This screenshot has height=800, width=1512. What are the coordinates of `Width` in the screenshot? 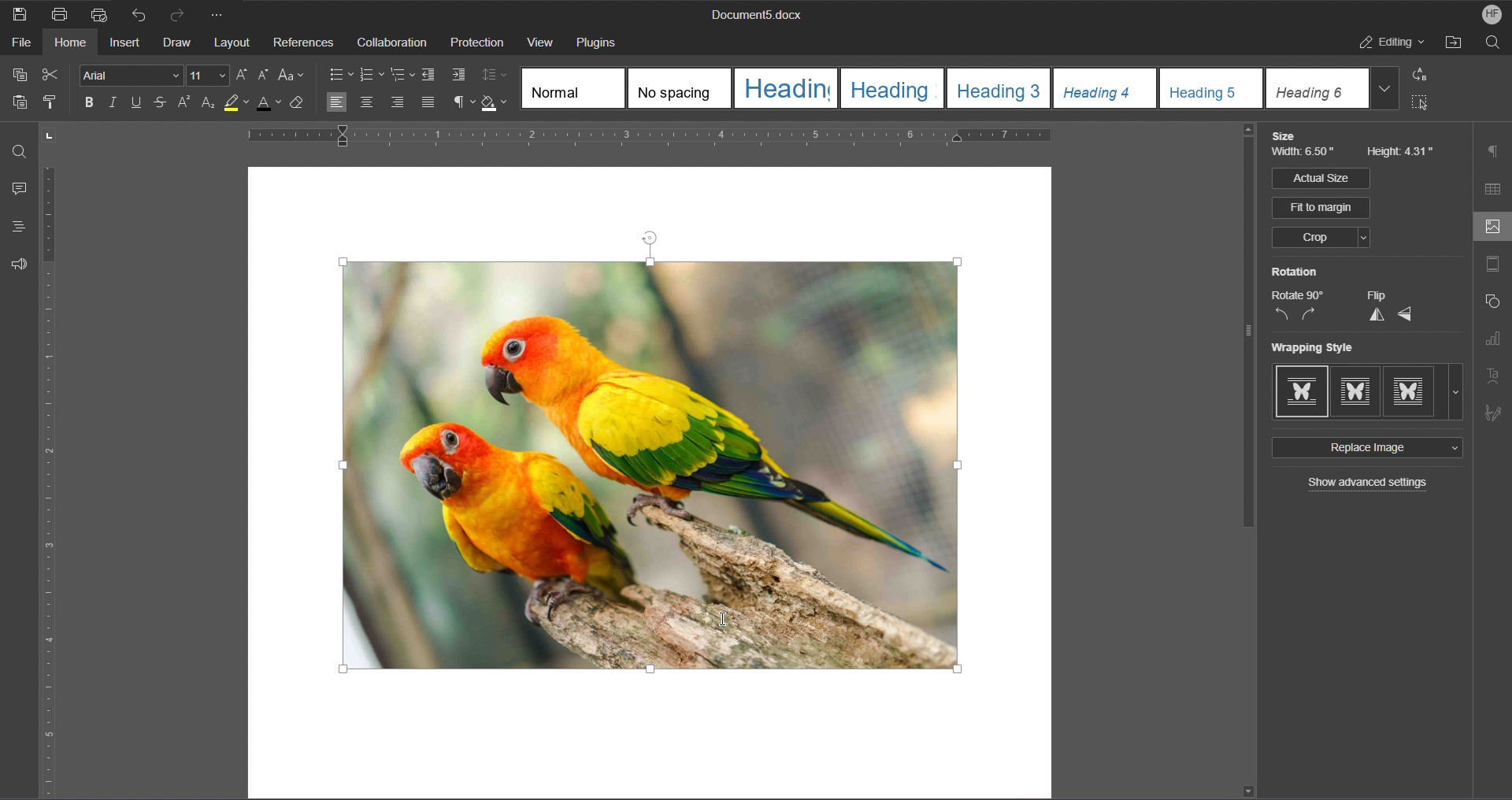 It's located at (1306, 154).